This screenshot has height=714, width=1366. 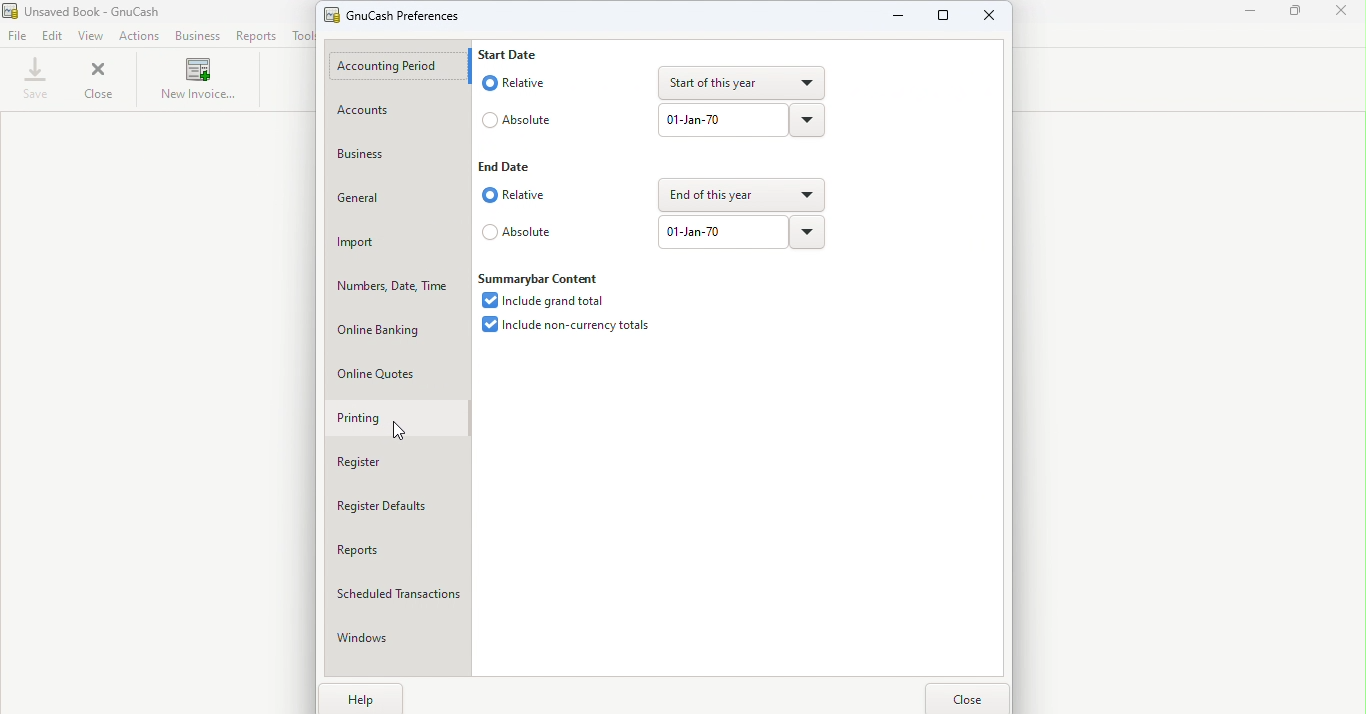 What do you see at coordinates (992, 16) in the screenshot?
I see `Close` at bounding box center [992, 16].